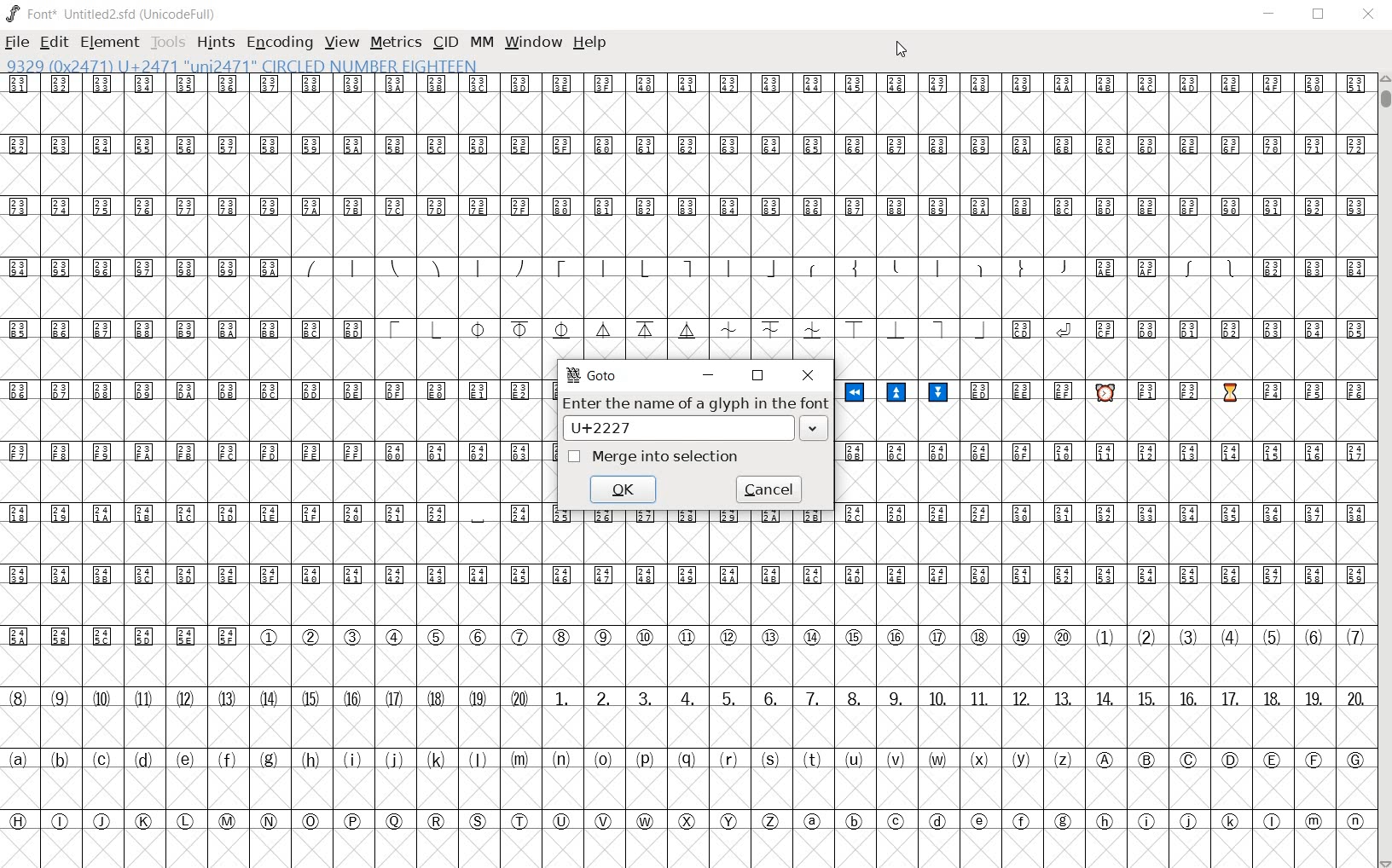 This screenshot has width=1392, height=868. I want to click on font* Untitled2.sfd (UnicodeFull), so click(113, 14).